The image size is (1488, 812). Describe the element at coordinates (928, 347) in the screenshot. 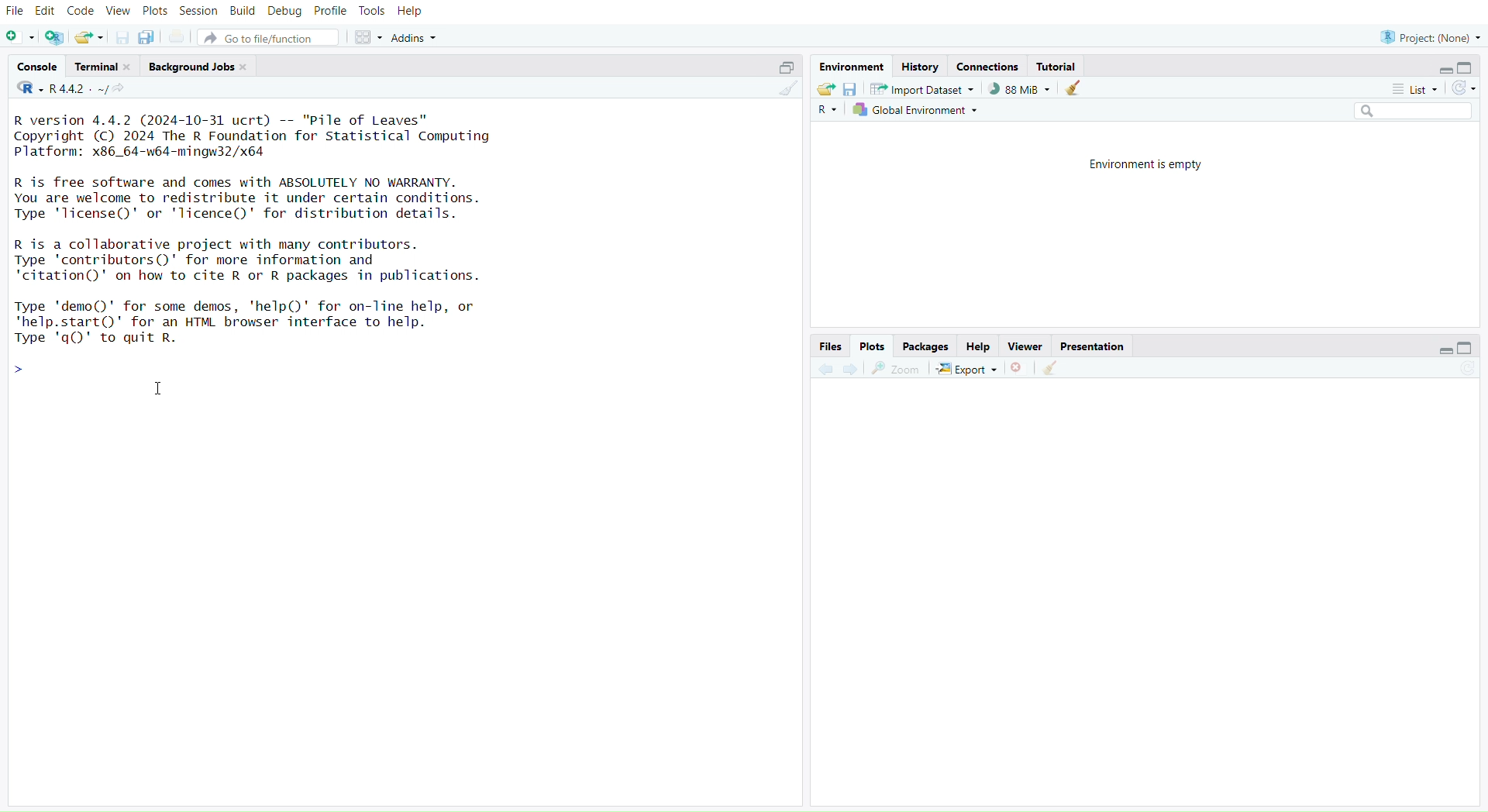

I see `packages` at that location.